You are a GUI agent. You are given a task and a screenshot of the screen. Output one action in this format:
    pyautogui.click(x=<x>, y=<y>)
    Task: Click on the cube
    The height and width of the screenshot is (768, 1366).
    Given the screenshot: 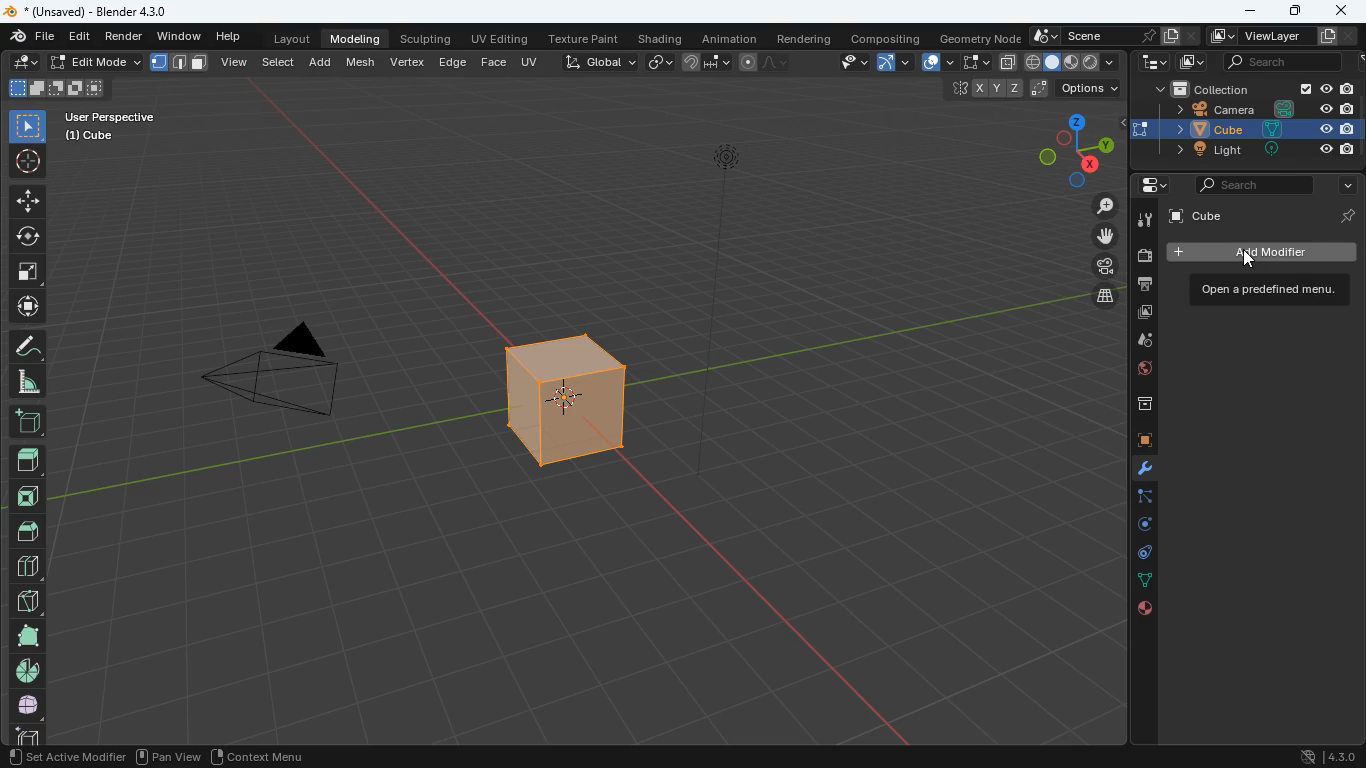 What is the action you would take?
    pyautogui.click(x=1141, y=442)
    